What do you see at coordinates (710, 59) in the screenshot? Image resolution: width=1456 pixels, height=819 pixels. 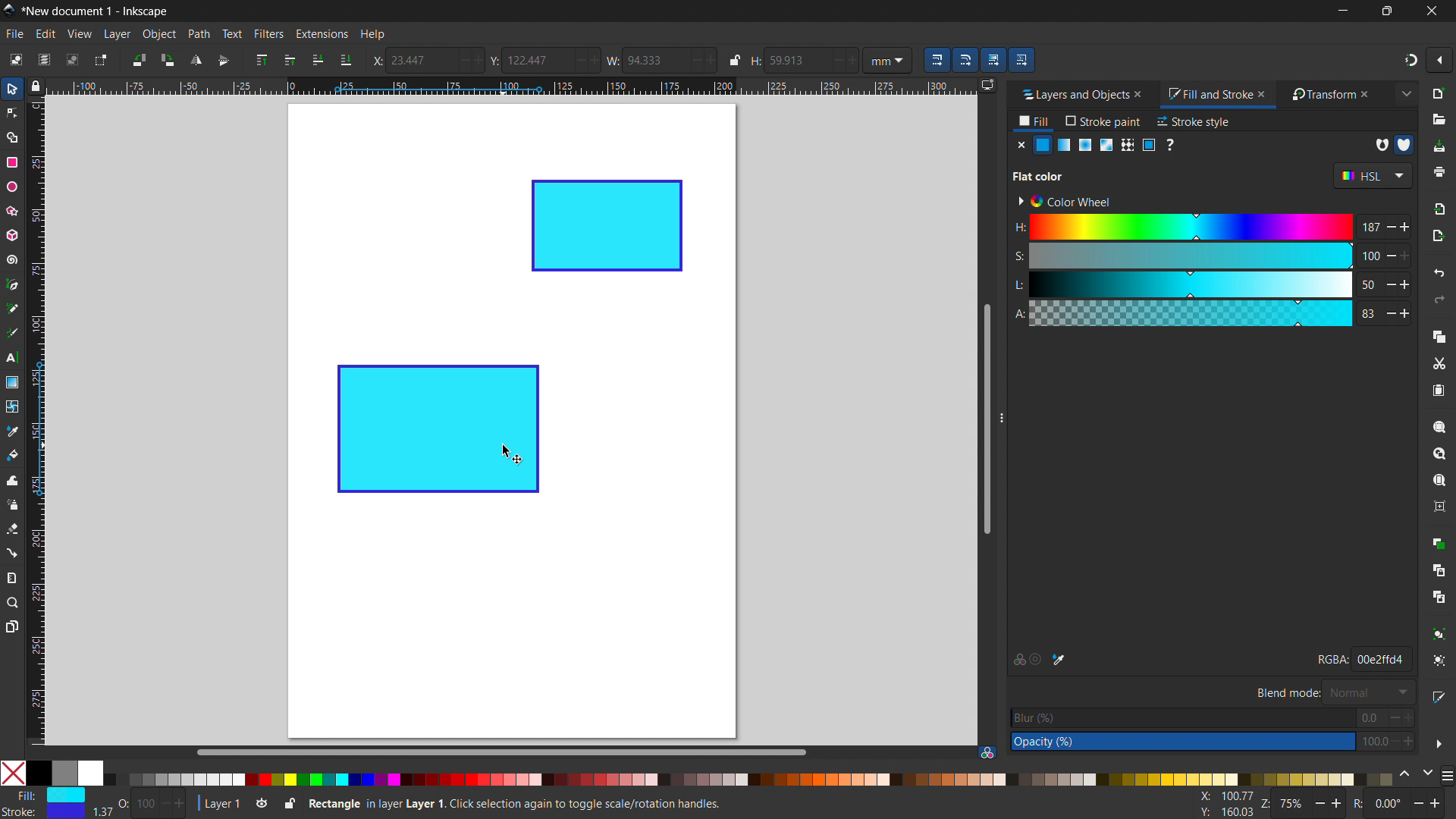 I see `Add/ increase` at bounding box center [710, 59].